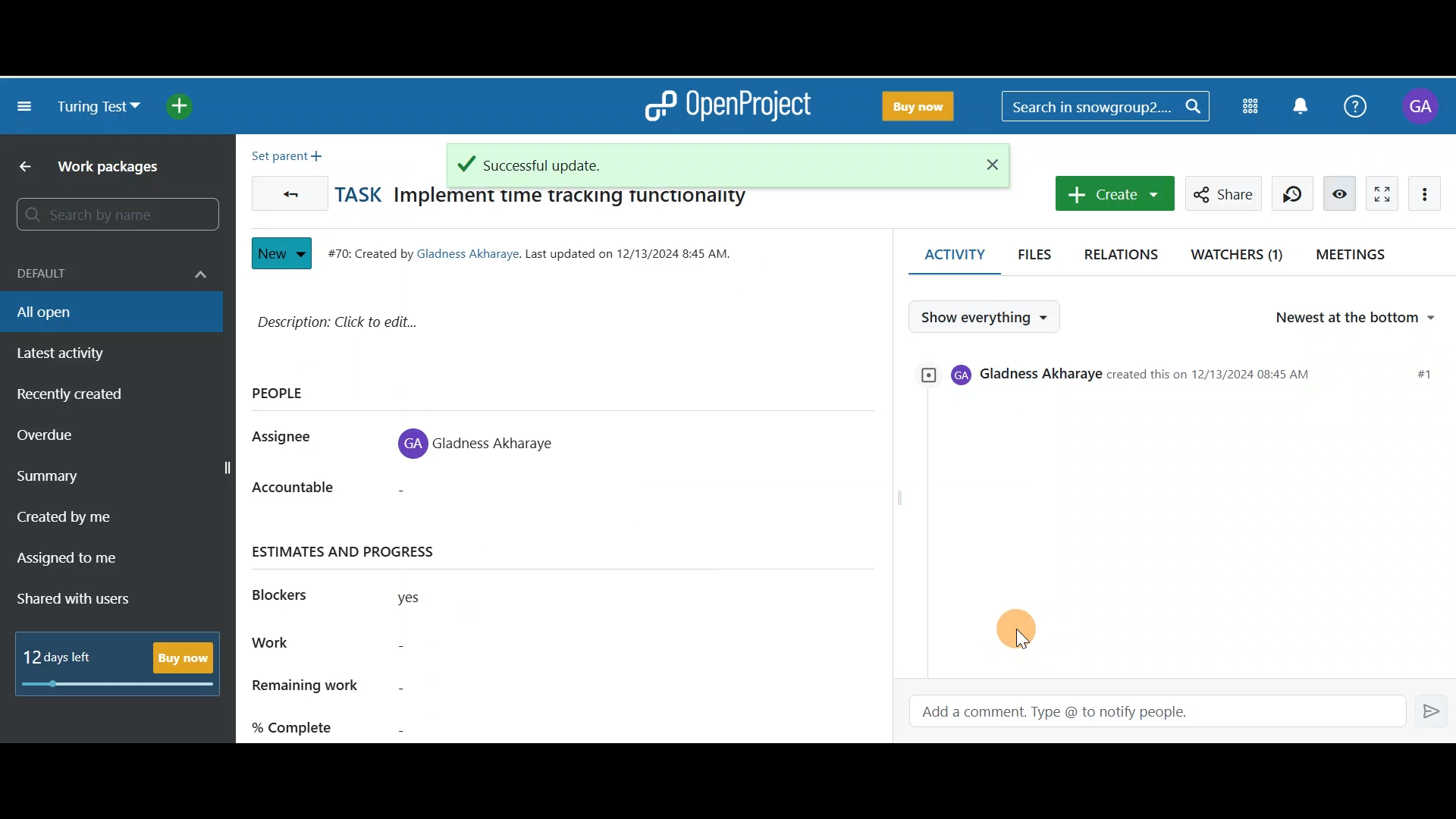 This screenshot has width=1456, height=819. I want to click on #70: Created by Gladness Akharaye. Last updated on 12/13/2024 8:45 AM., so click(538, 251).